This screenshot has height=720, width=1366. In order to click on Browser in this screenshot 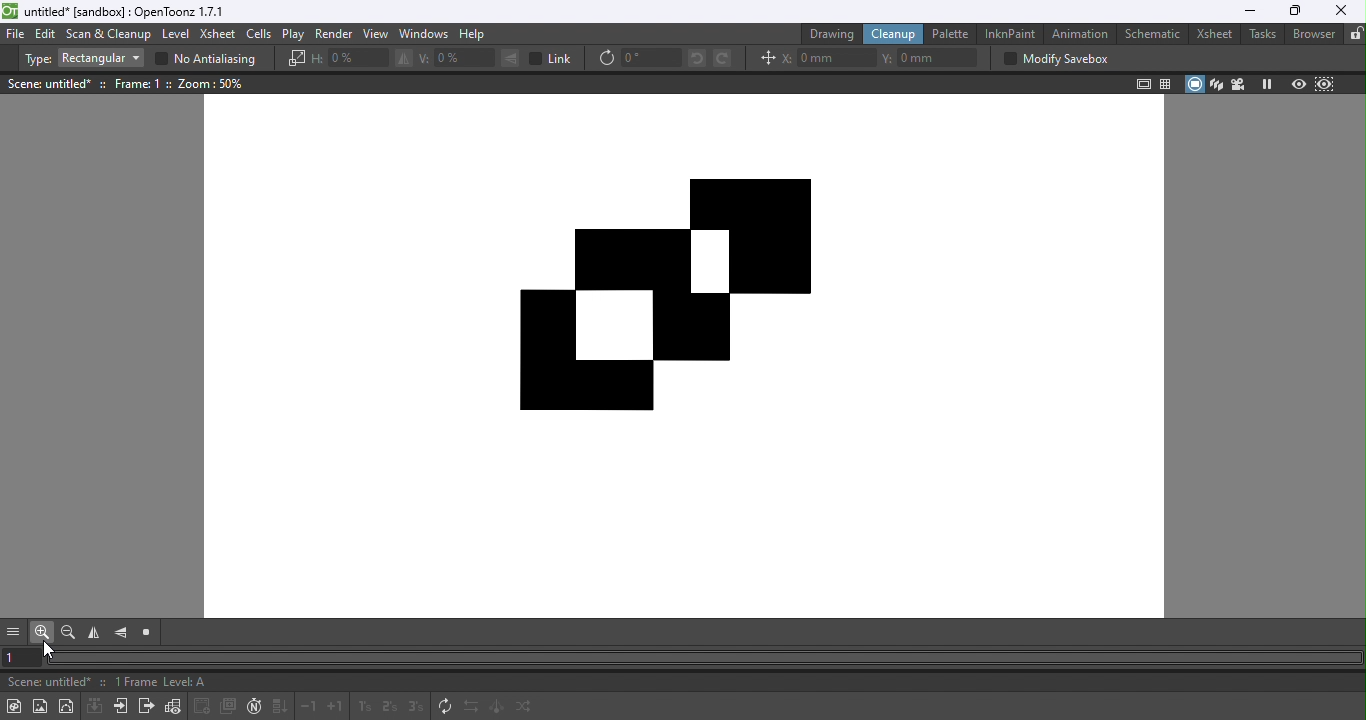, I will do `click(1315, 35)`.